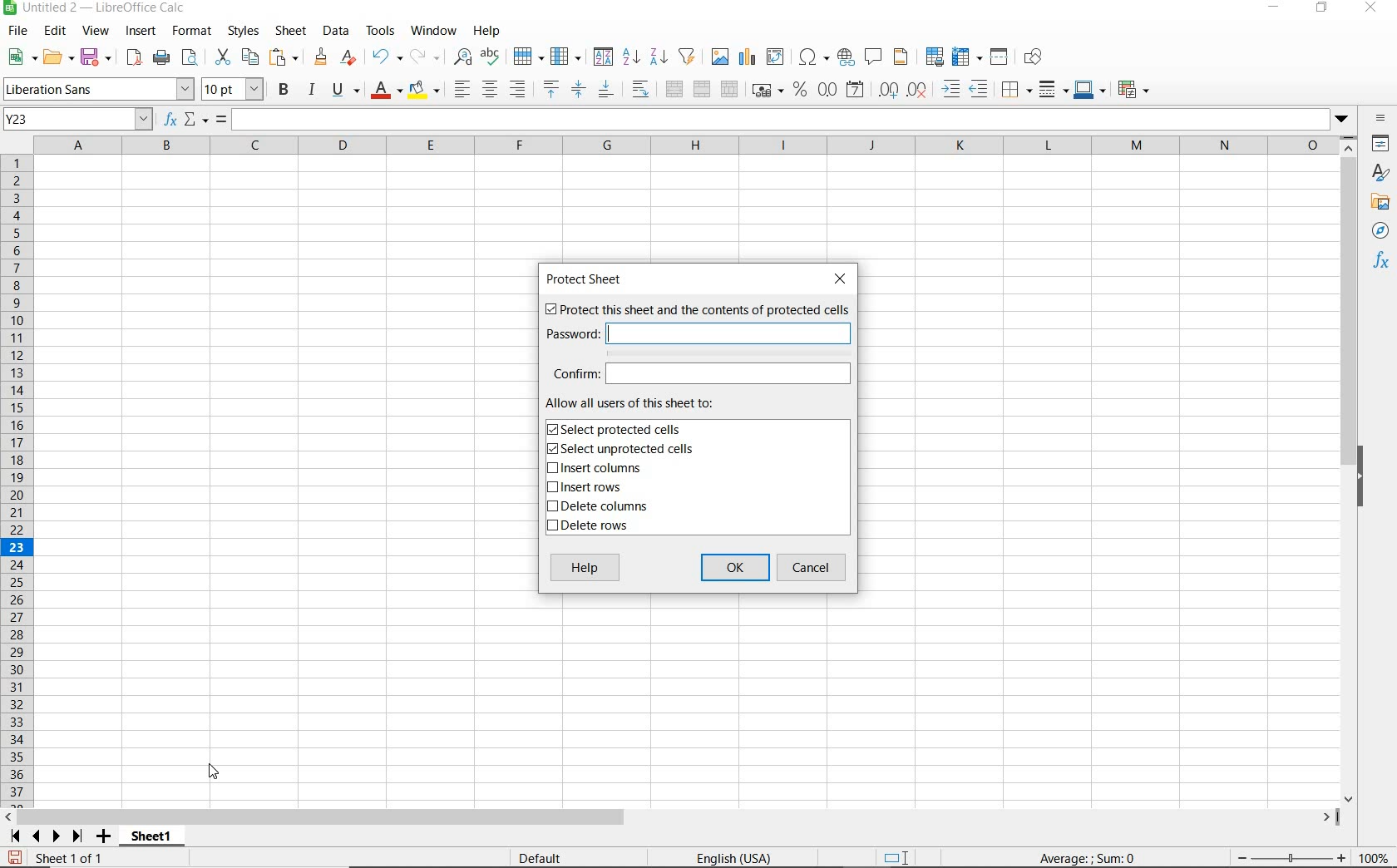 Image resolution: width=1397 pixels, height=868 pixels. I want to click on CLONE FORMATTING, so click(322, 57).